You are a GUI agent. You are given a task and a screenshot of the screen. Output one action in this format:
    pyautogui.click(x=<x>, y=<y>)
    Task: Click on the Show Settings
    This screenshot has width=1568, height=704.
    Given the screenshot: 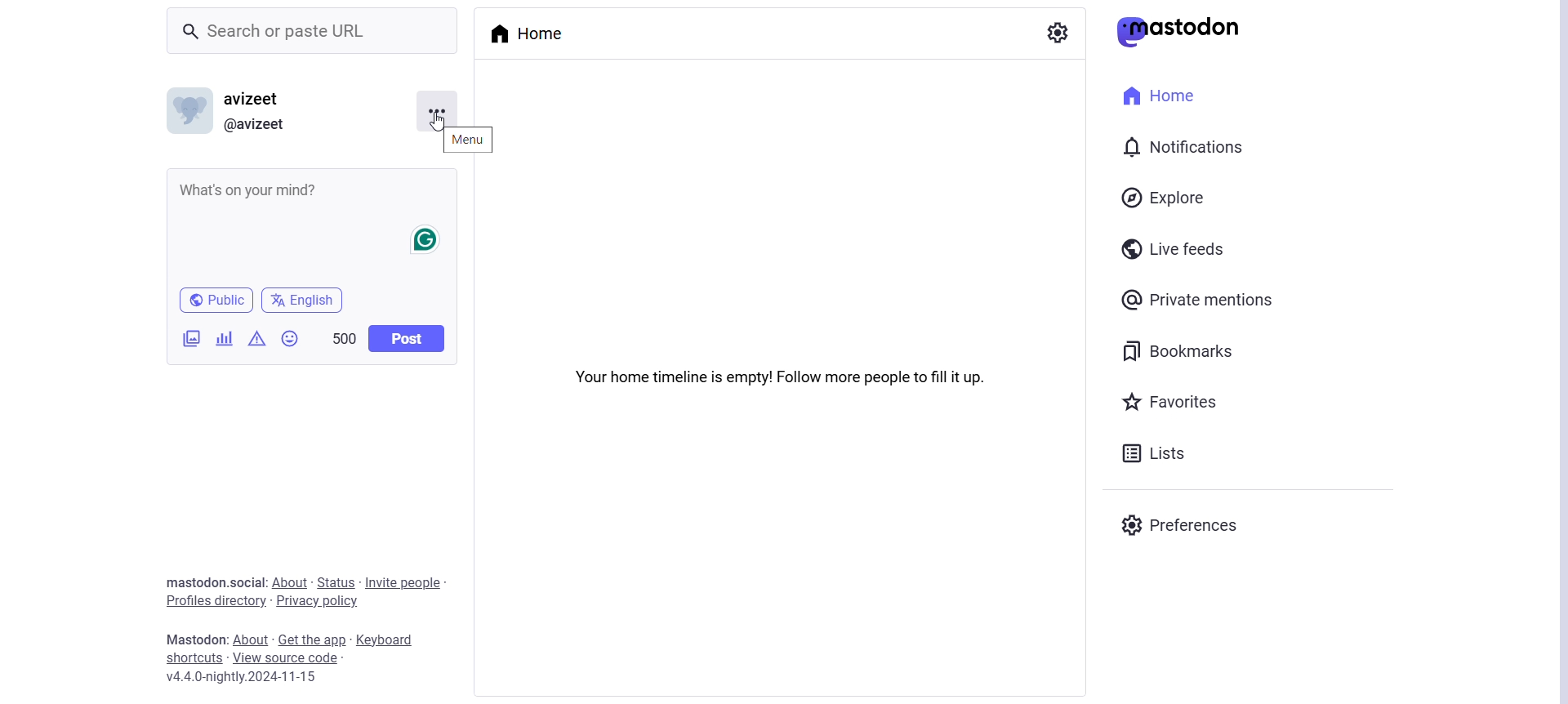 What is the action you would take?
    pyautogui.click(x=1064, y=32)
    